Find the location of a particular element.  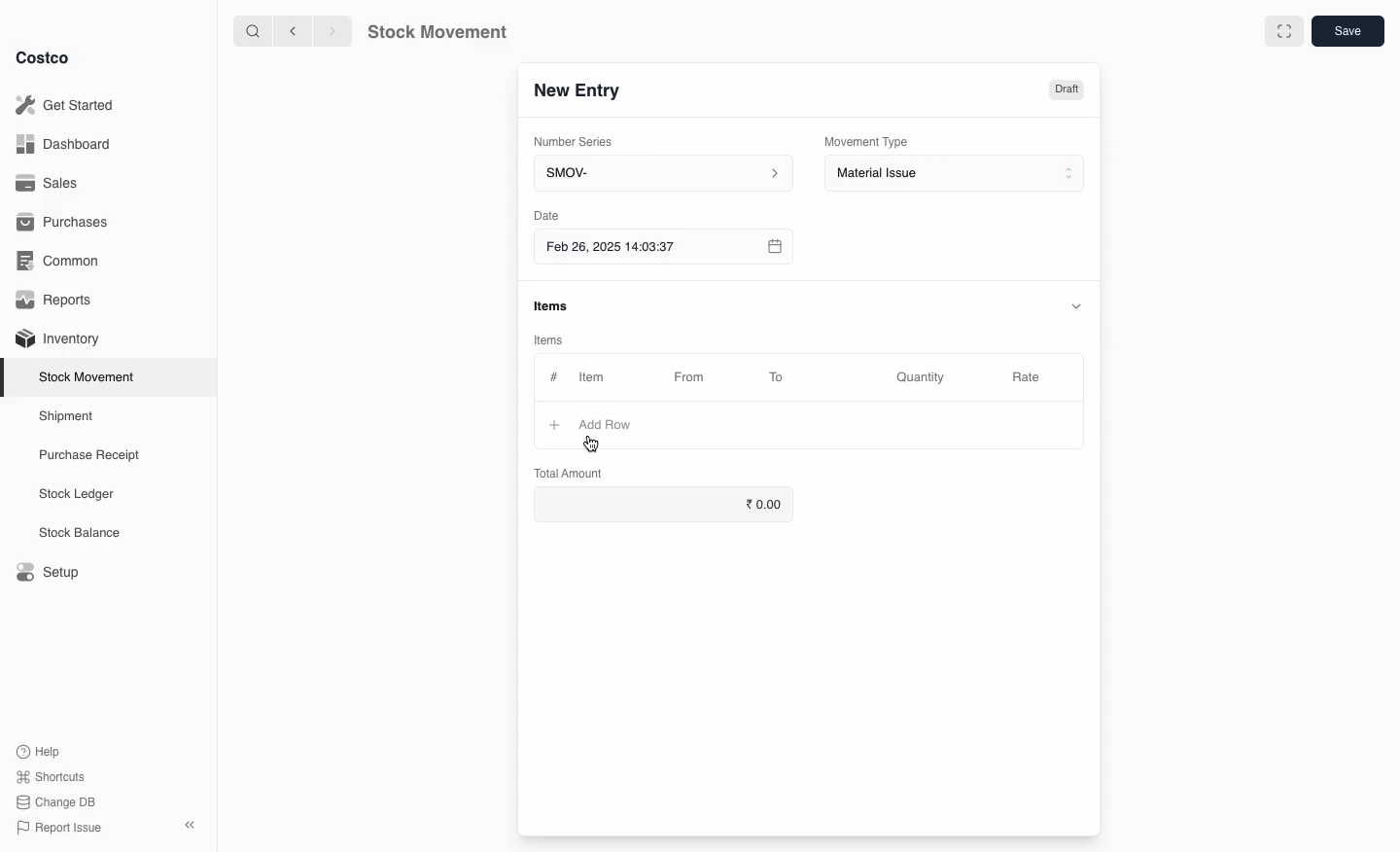

Total Amount is located at coordinates (570, 473).